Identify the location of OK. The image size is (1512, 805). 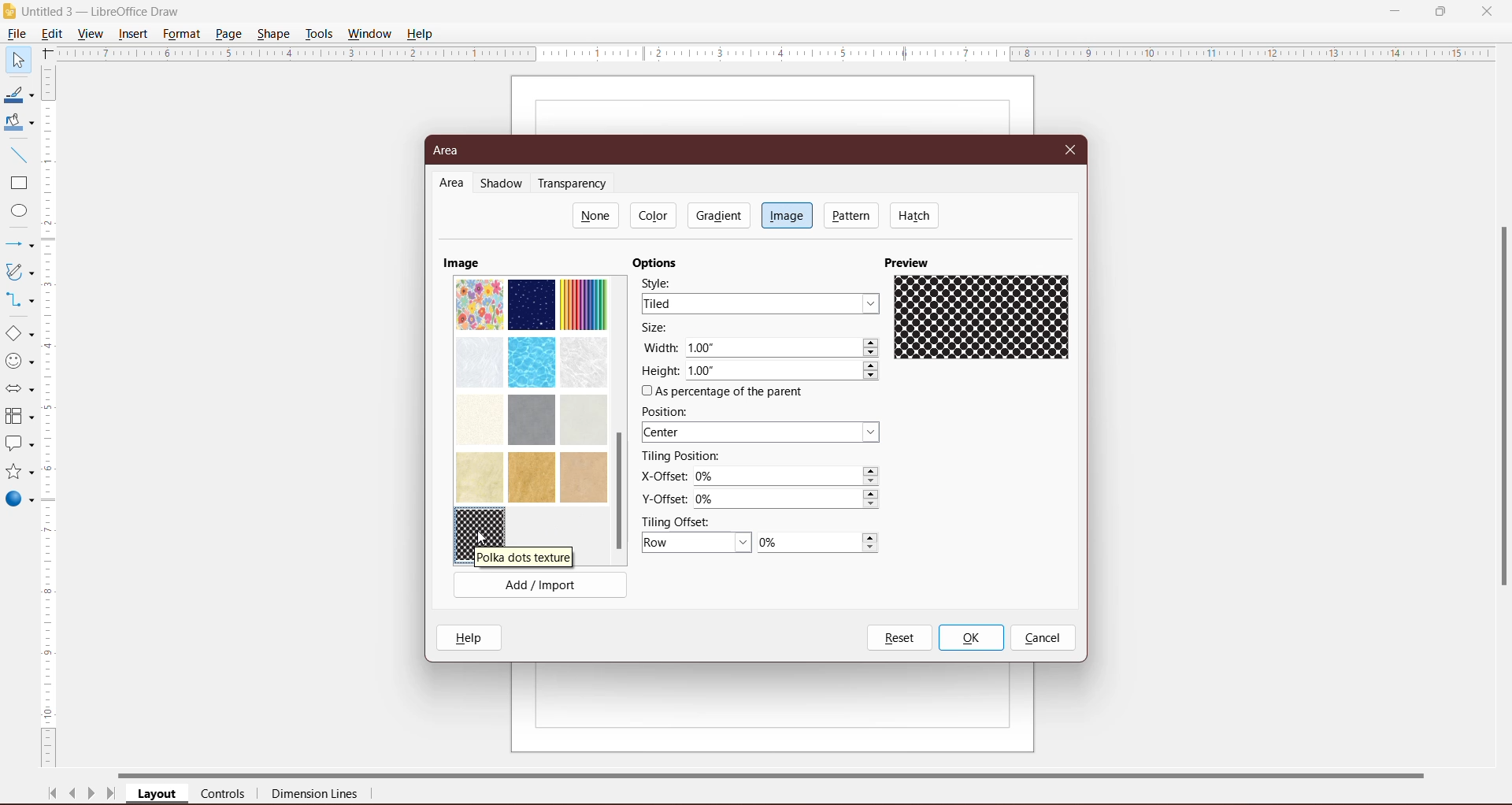
(970, 638).